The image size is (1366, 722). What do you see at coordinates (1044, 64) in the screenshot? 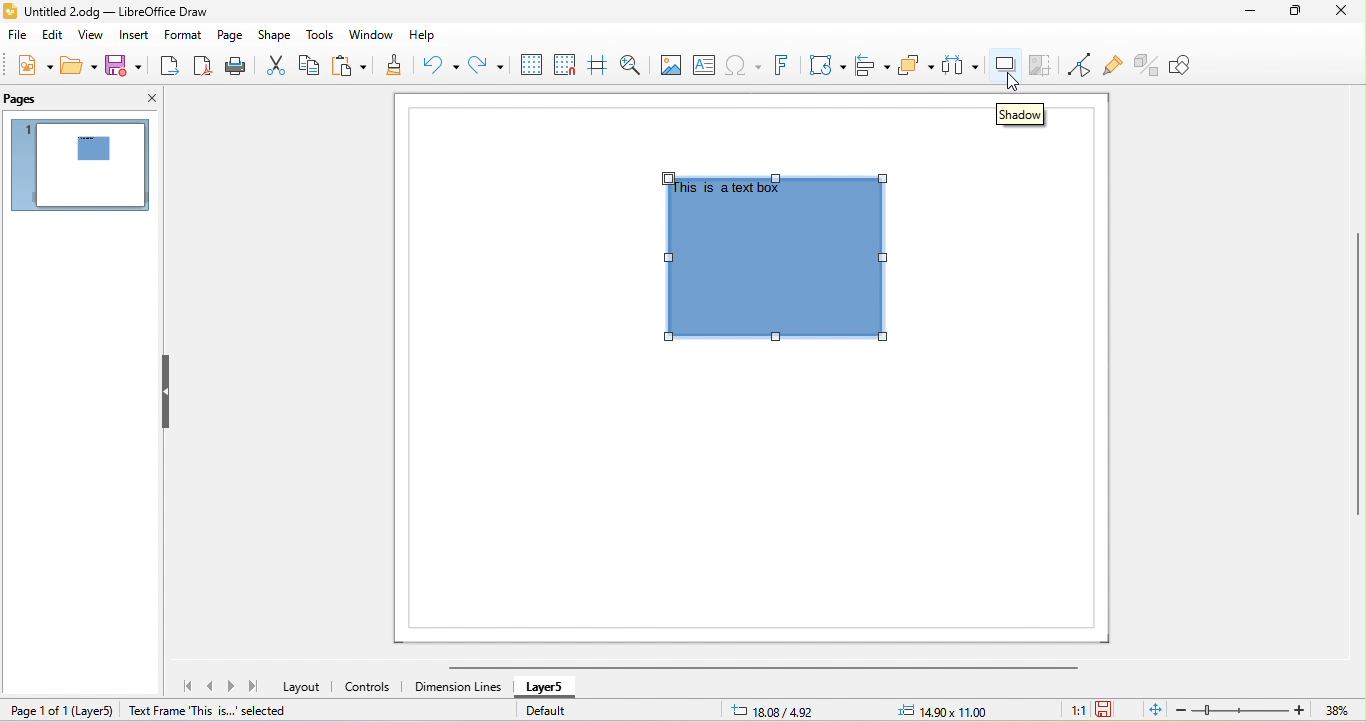
I see `crop image` at bounding box center [1044, 64].